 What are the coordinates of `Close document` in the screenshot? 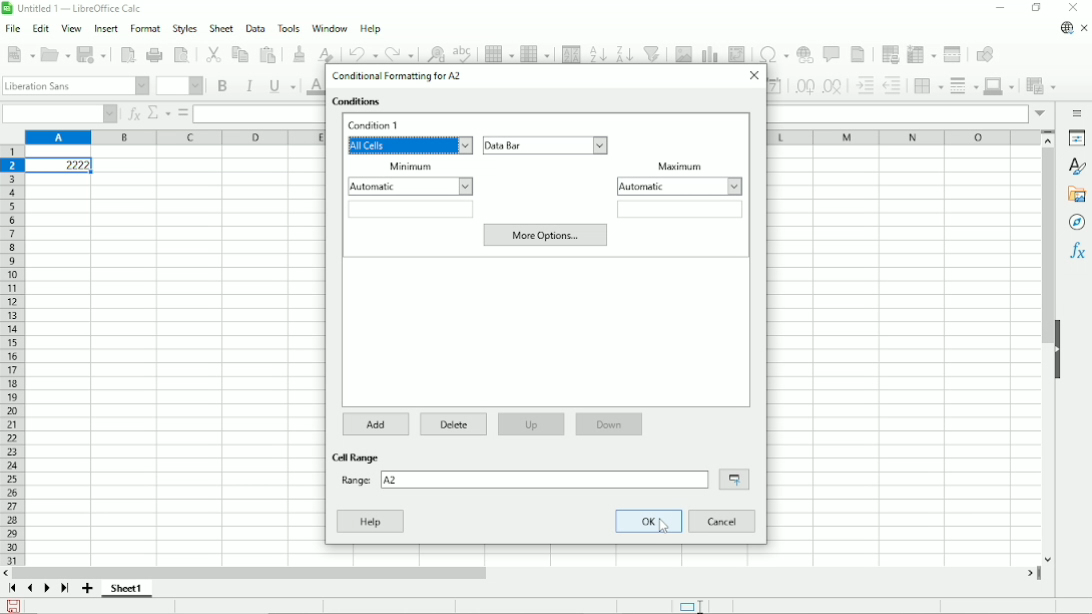 It's located at (1085, 28).